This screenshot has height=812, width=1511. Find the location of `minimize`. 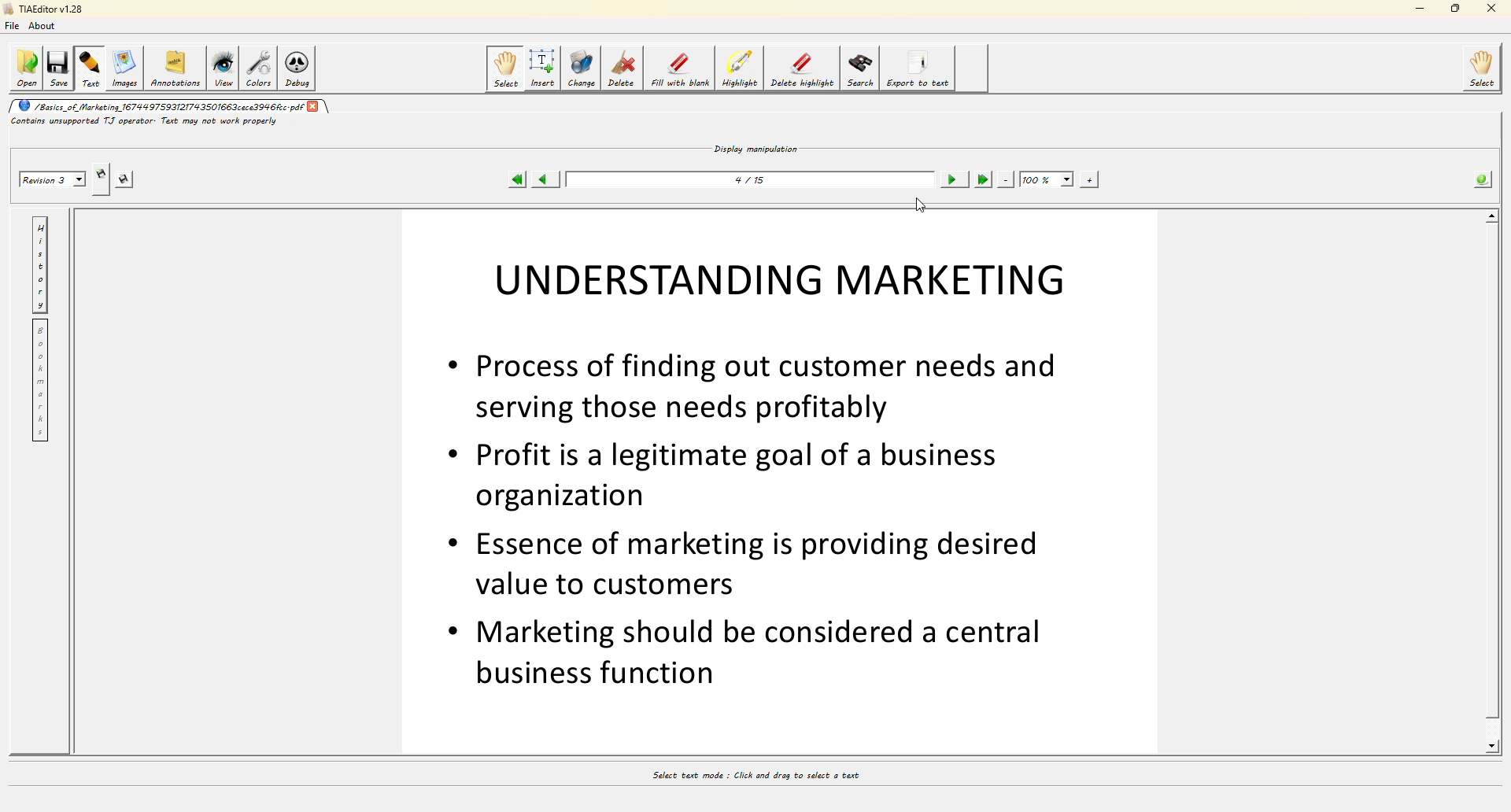

minimize is located at coordinates (1419, 9).